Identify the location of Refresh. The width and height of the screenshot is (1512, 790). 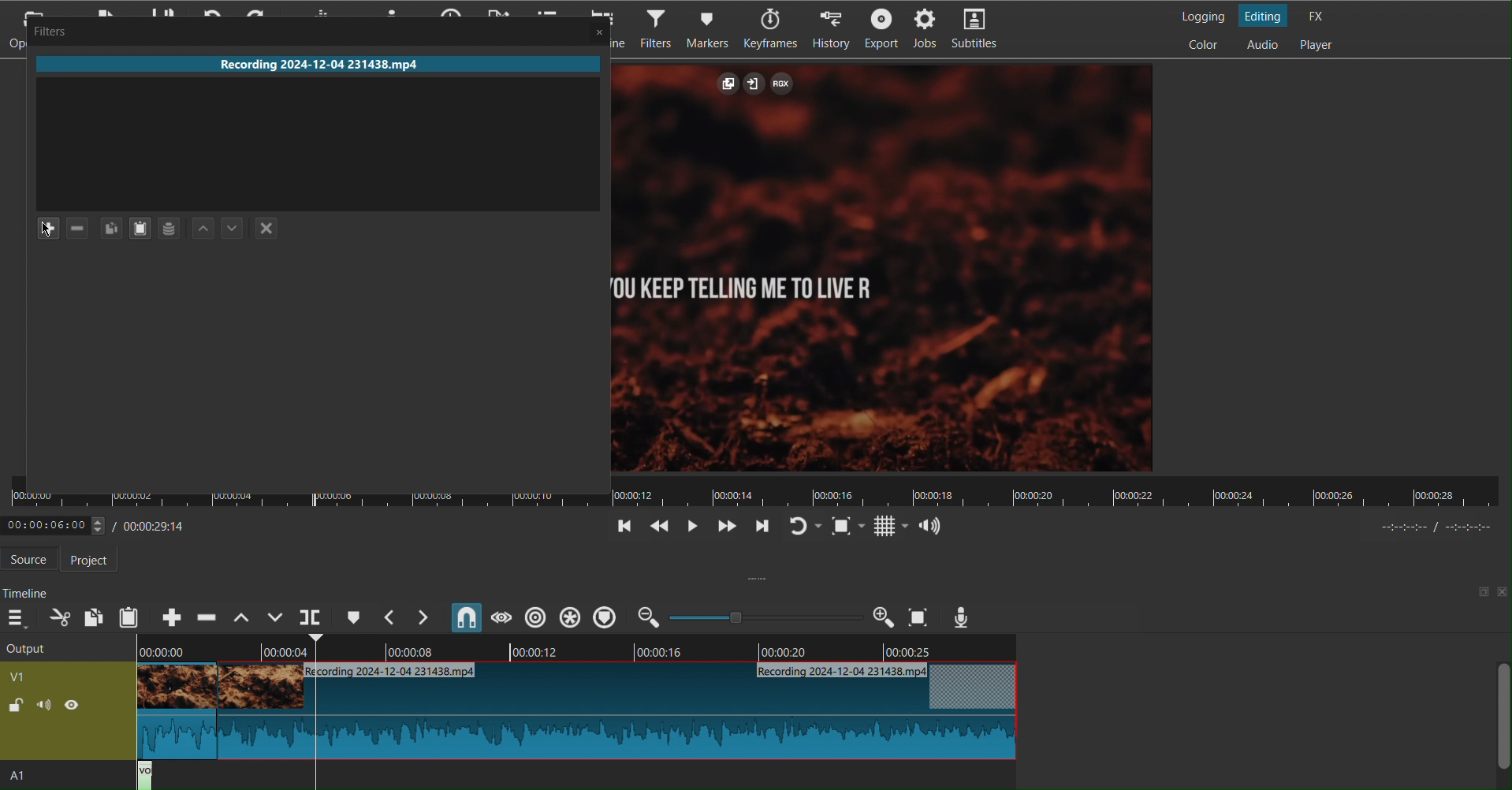
(805, 527).